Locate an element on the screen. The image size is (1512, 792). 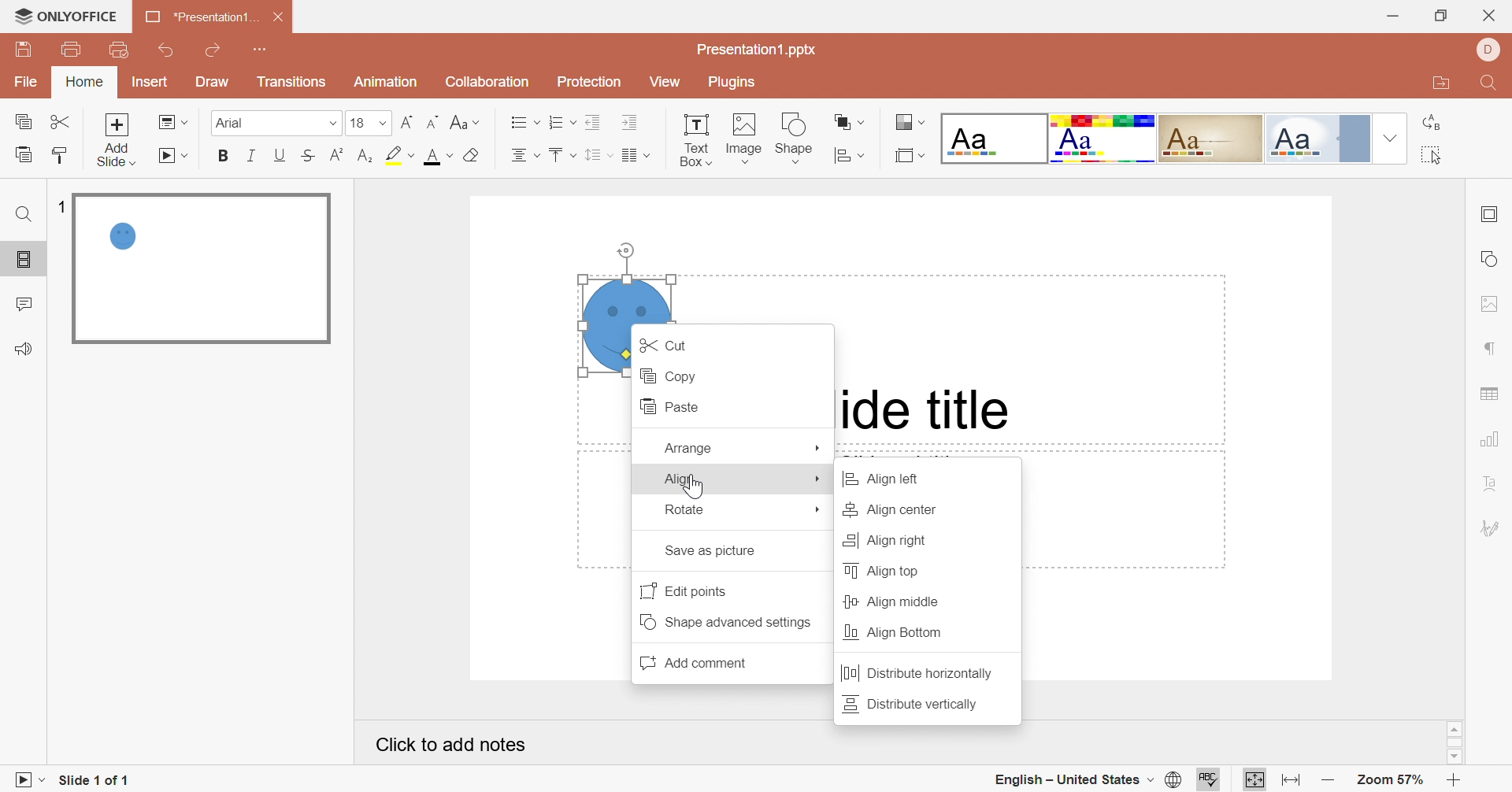
Customize quick access toolbar is located at coordinates (261, 50).